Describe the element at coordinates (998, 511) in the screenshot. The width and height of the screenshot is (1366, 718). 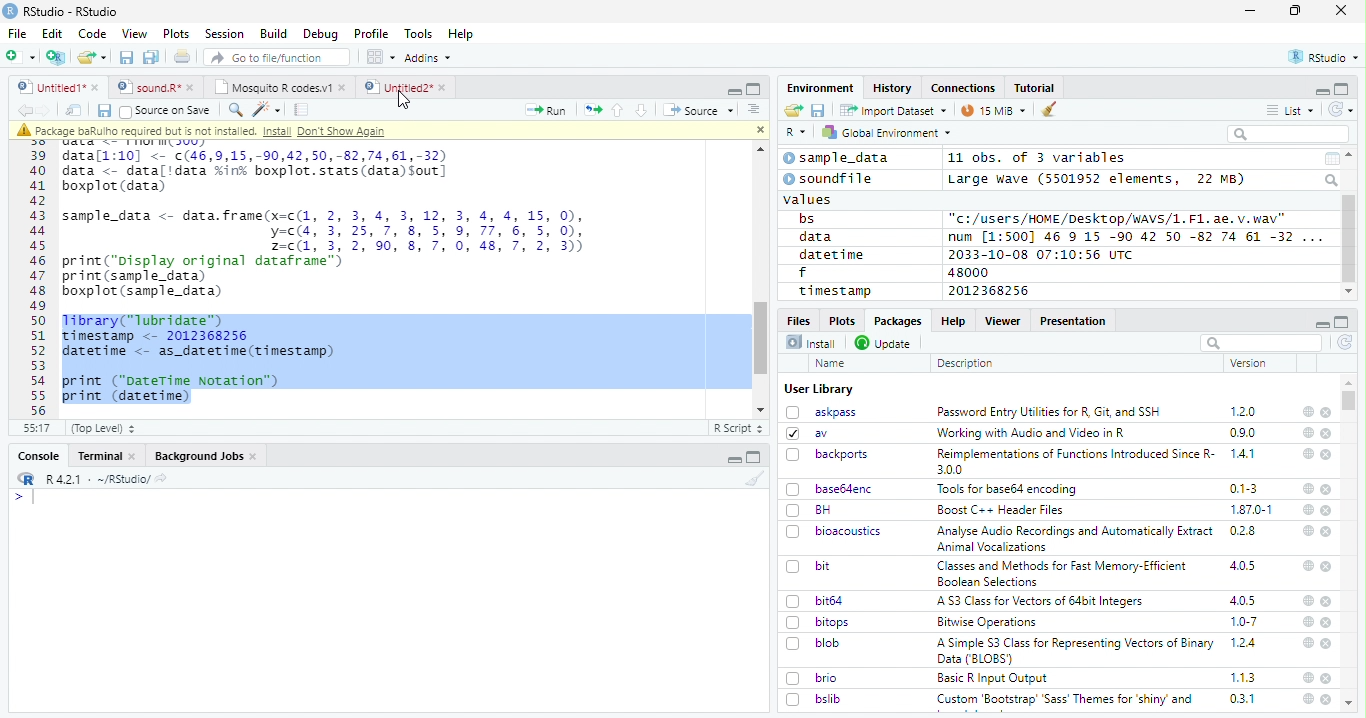
I see `Boost C++ Header Files` at that location.